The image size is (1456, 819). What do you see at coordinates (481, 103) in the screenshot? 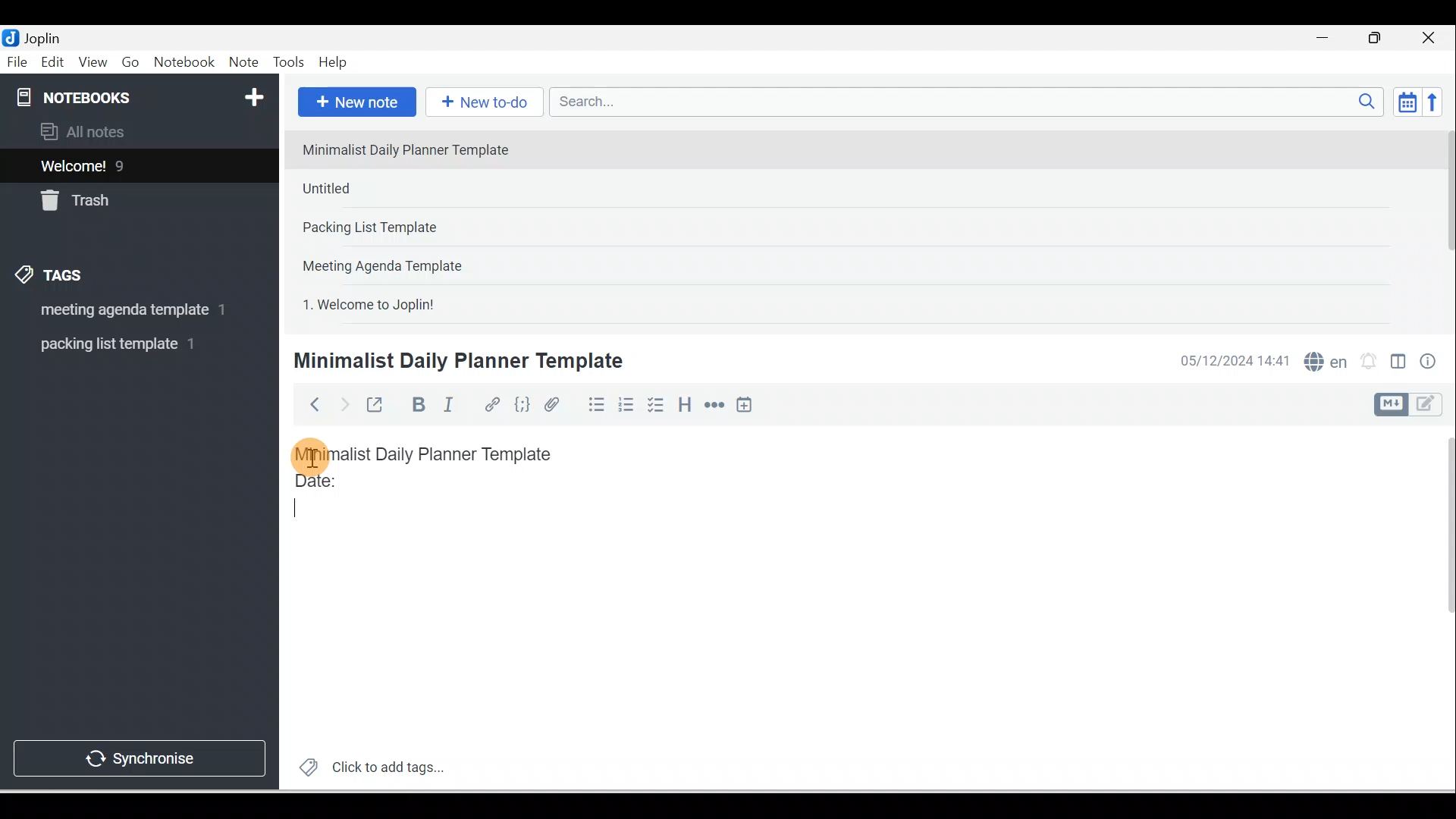
I see `New to-do` at bounding box center [481, 103].